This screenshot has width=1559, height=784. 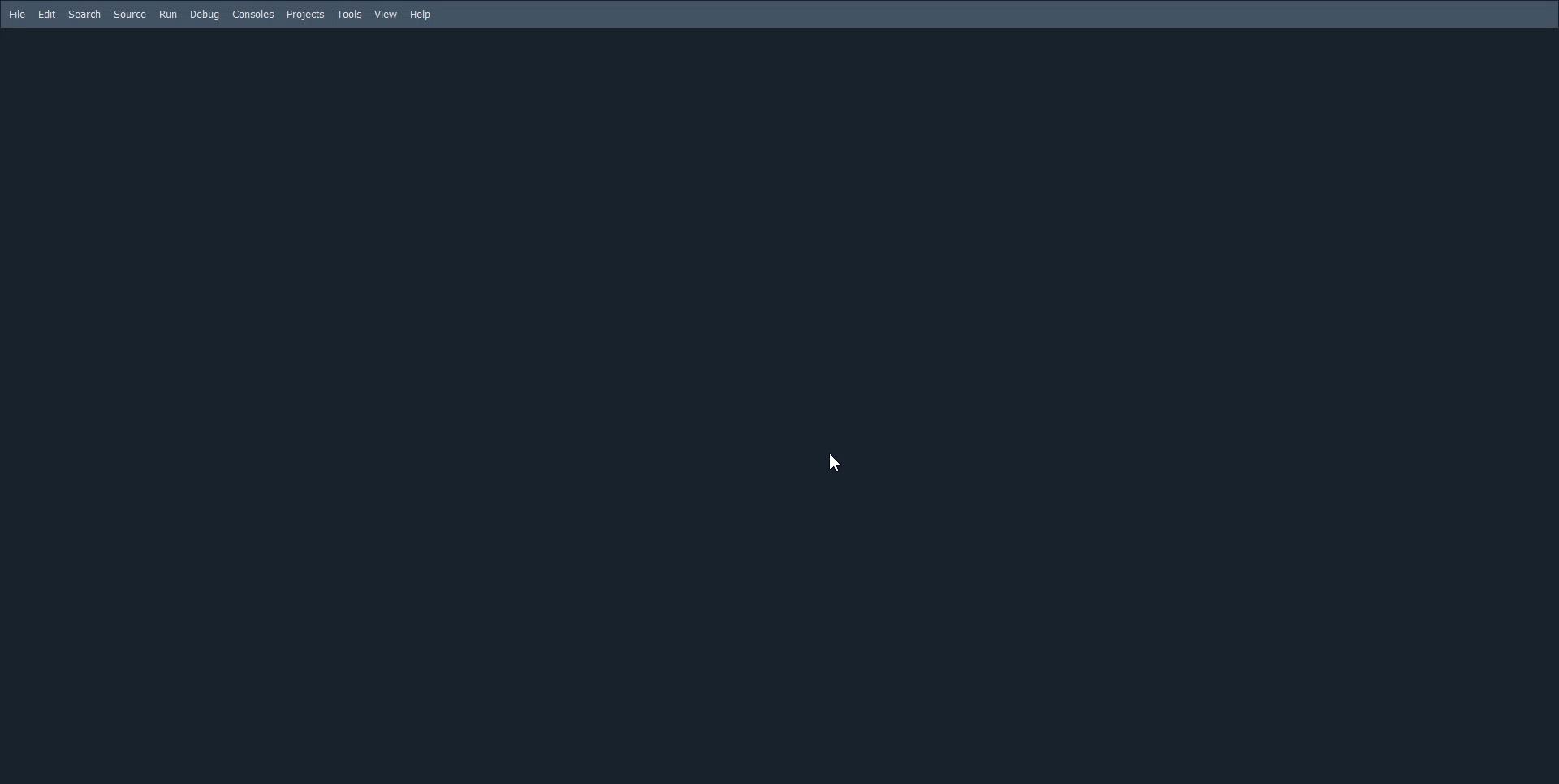 I want to click on Cursor, so click(x=838, y=463).